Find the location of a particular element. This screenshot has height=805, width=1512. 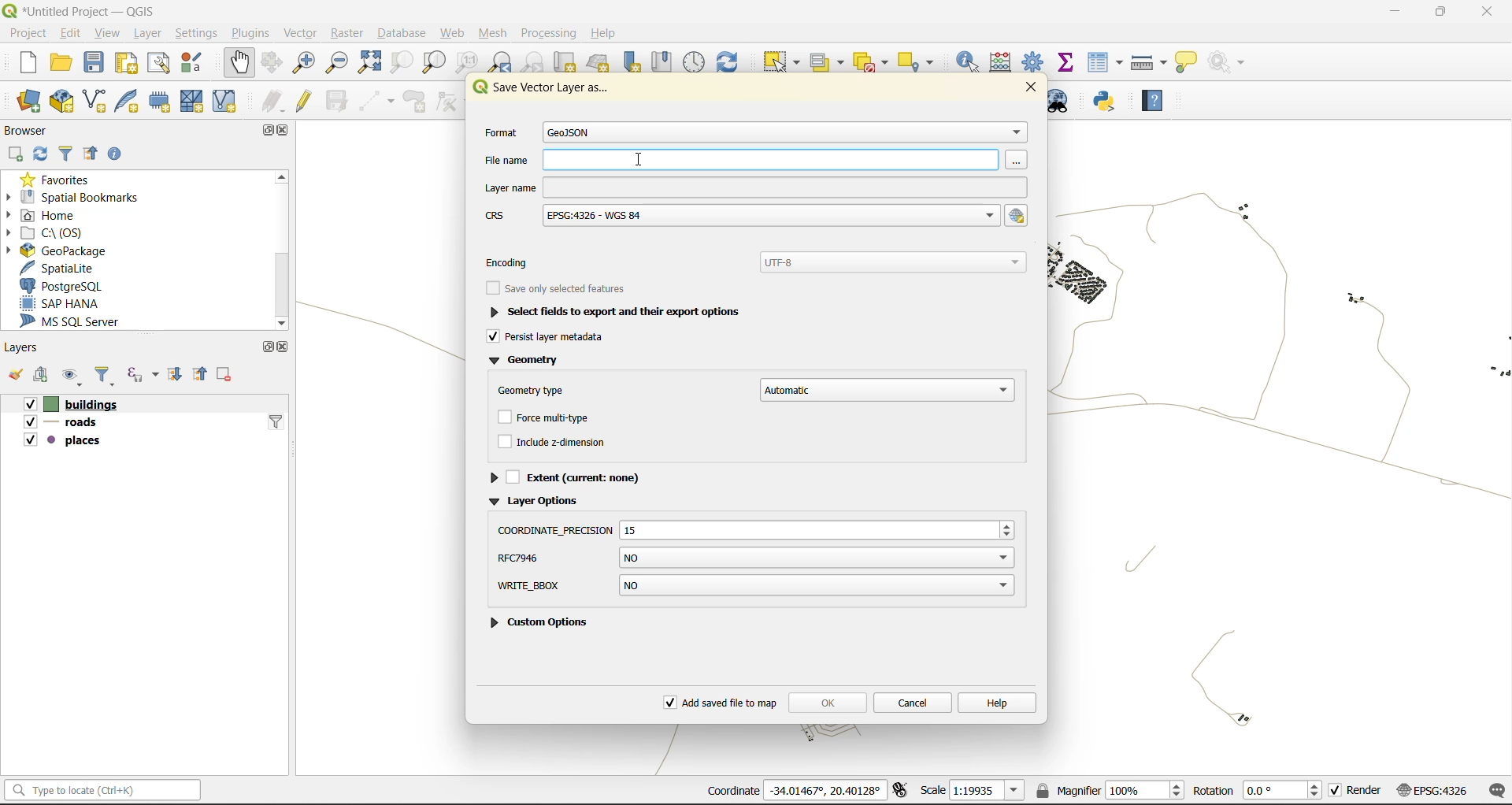

favorites is located at coordinates (65, 180).